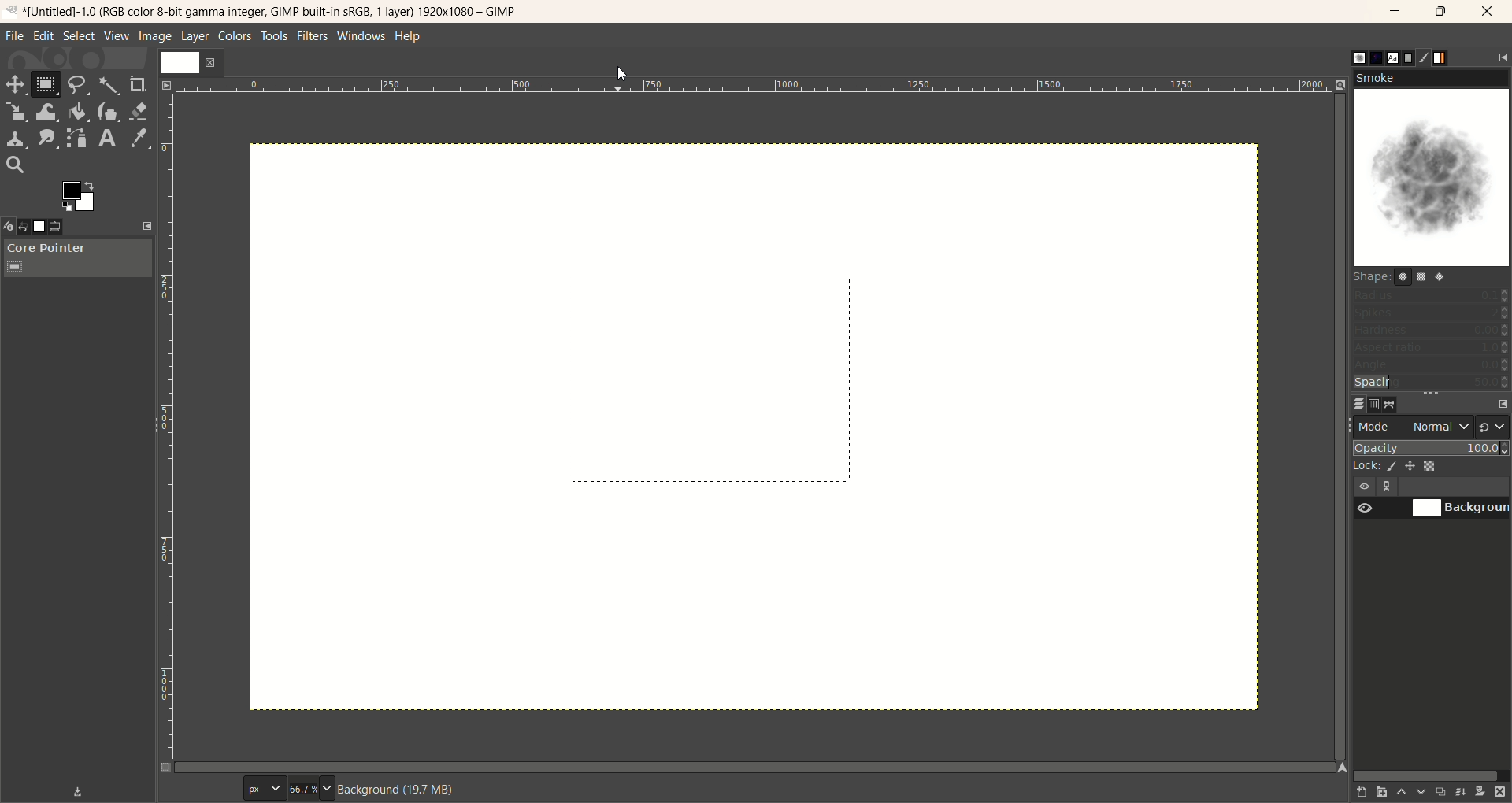  I want to click on scale bar, so click(753, 88).